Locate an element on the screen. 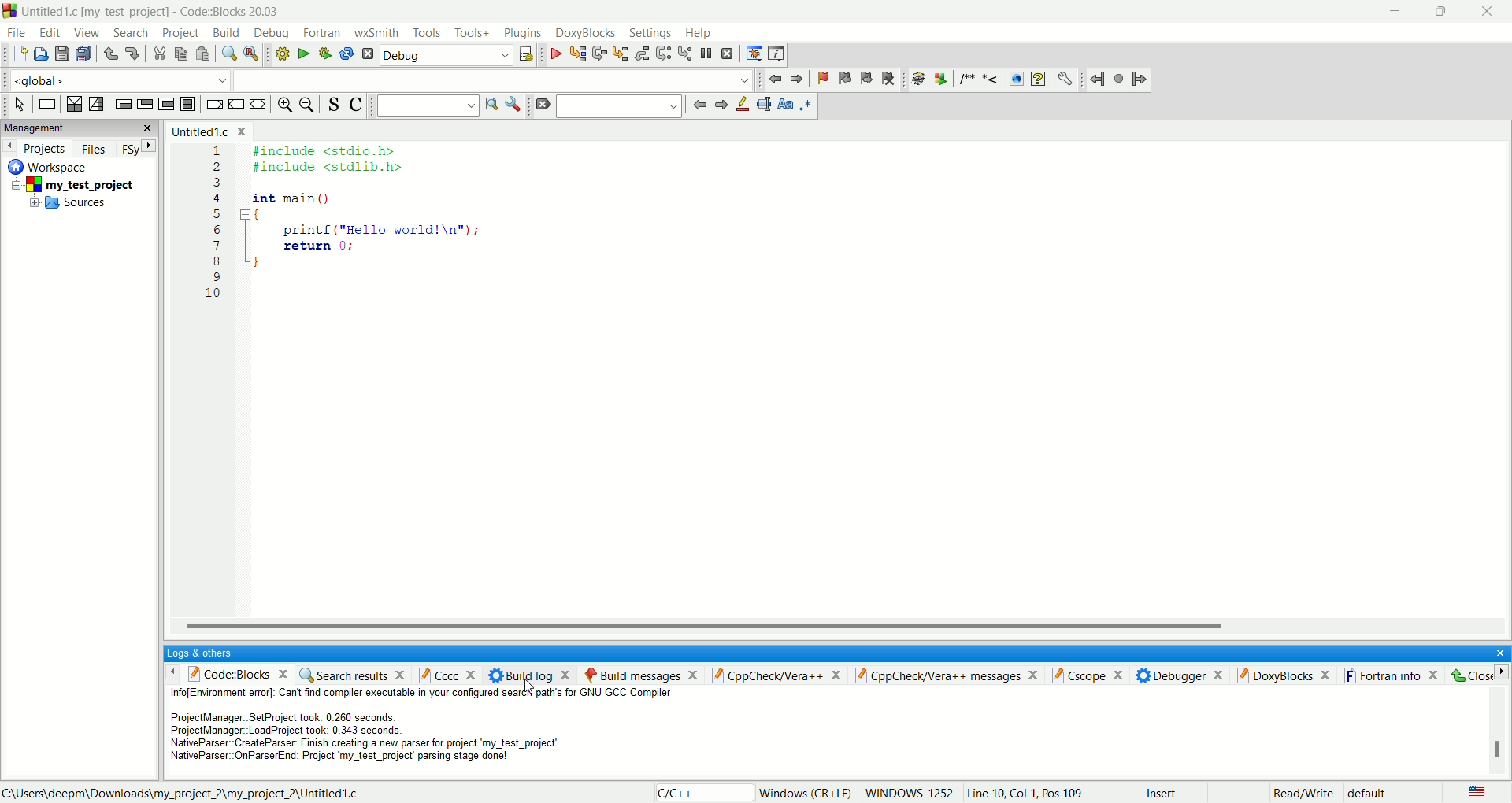 This screenshot has height=803, width=1512. run search is located at coordinates (491, 105).